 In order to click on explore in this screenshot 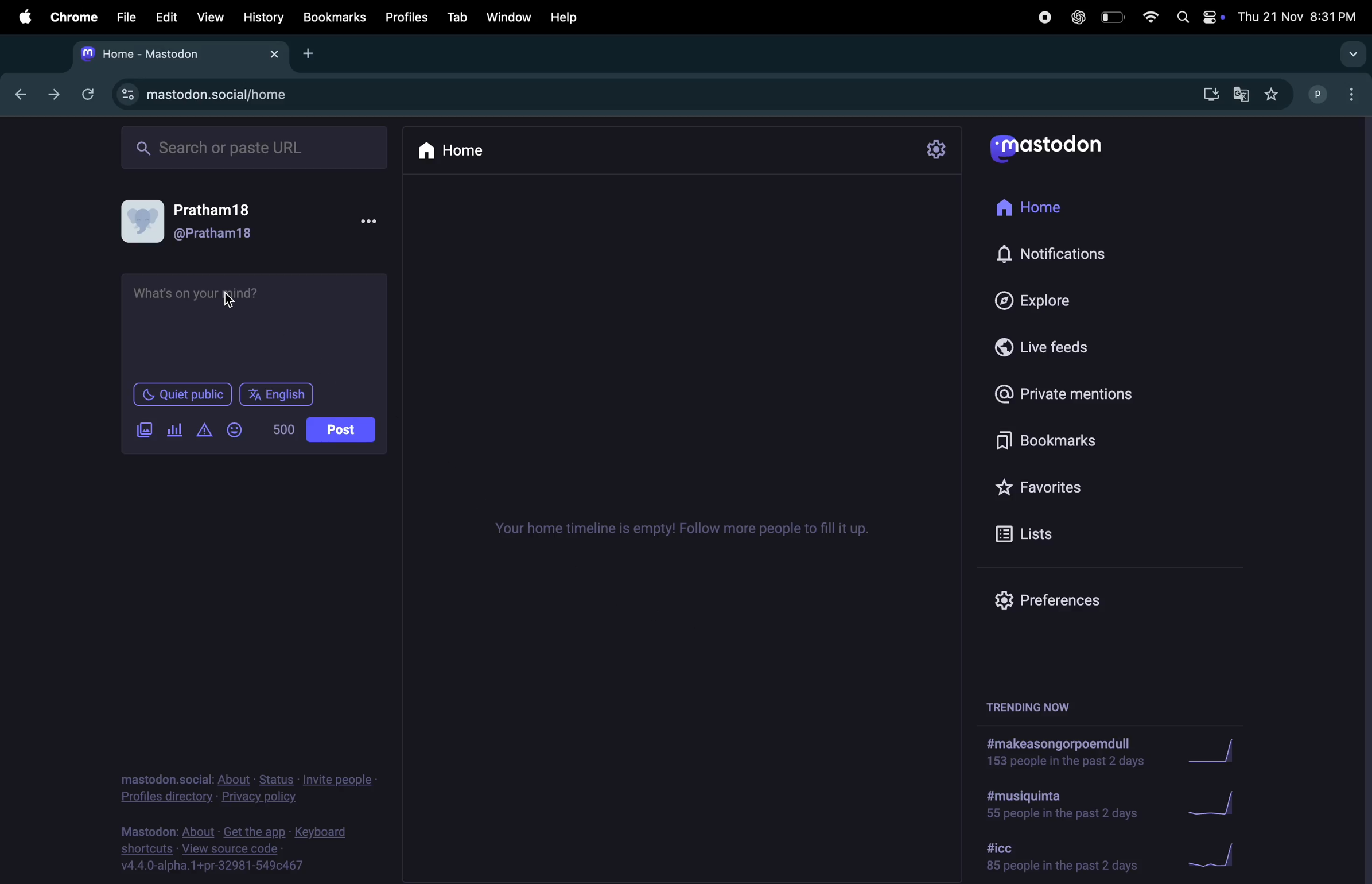, I will do `click(1043, 300)`.